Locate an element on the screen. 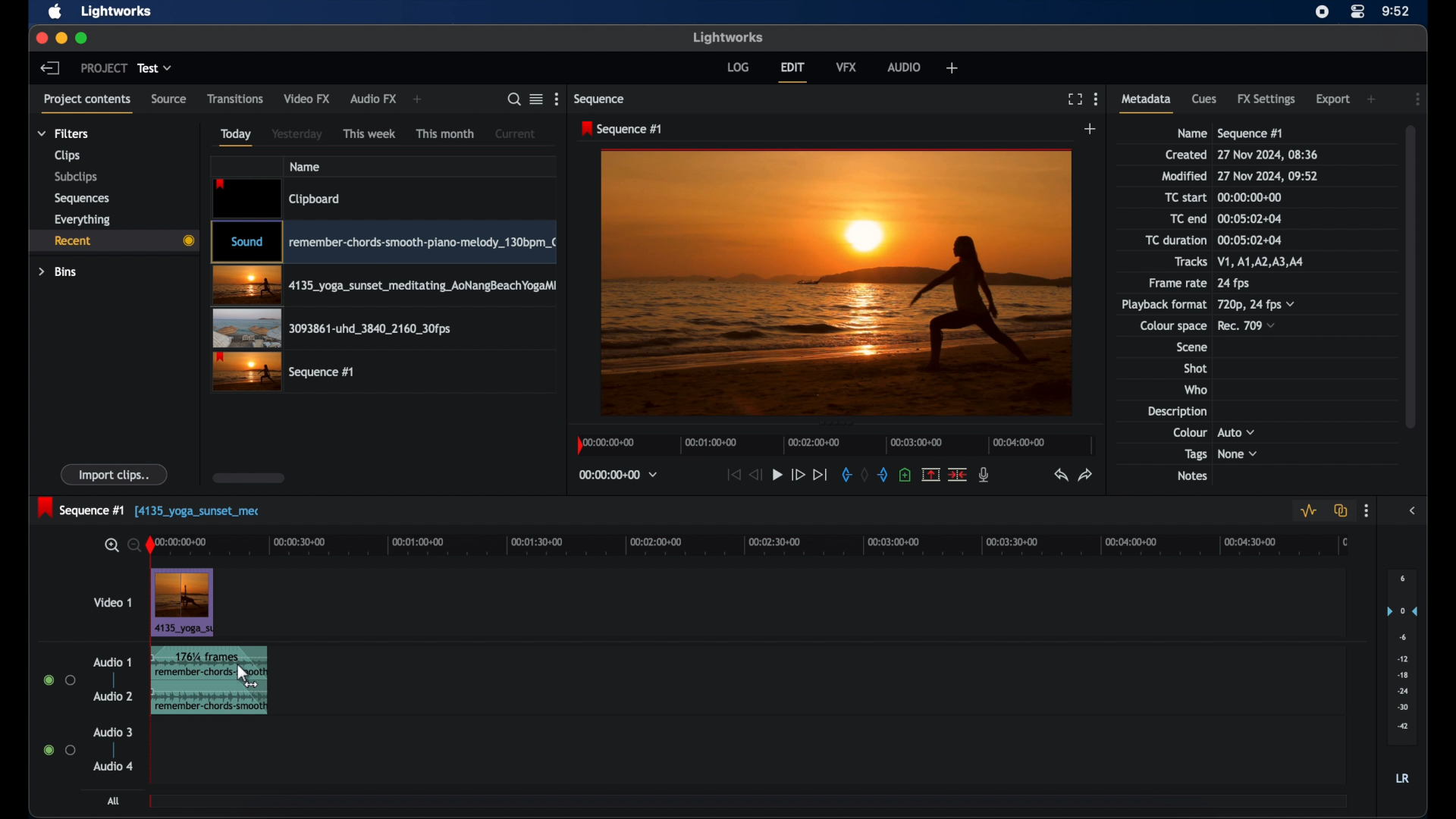 The image size is (1456, 819). radio buttons is located at coordinates (58, 749).